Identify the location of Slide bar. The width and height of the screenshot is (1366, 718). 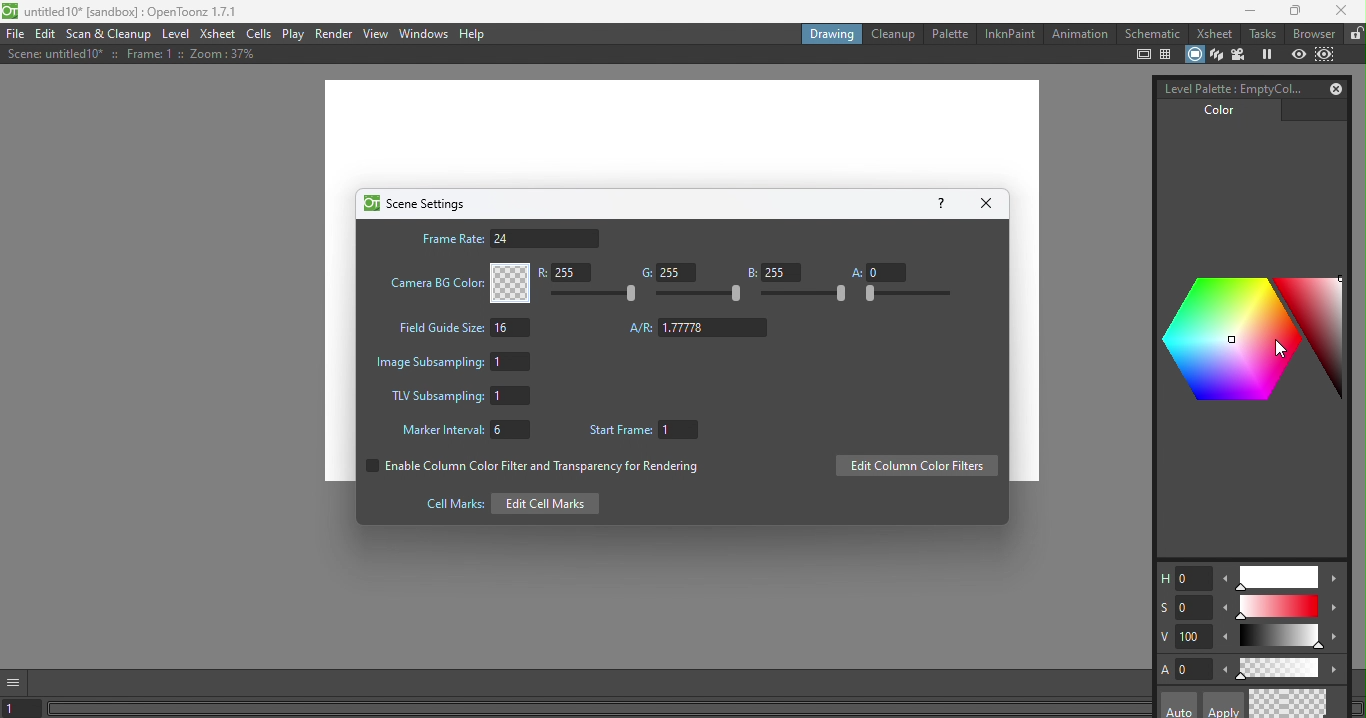
(1281, 638).